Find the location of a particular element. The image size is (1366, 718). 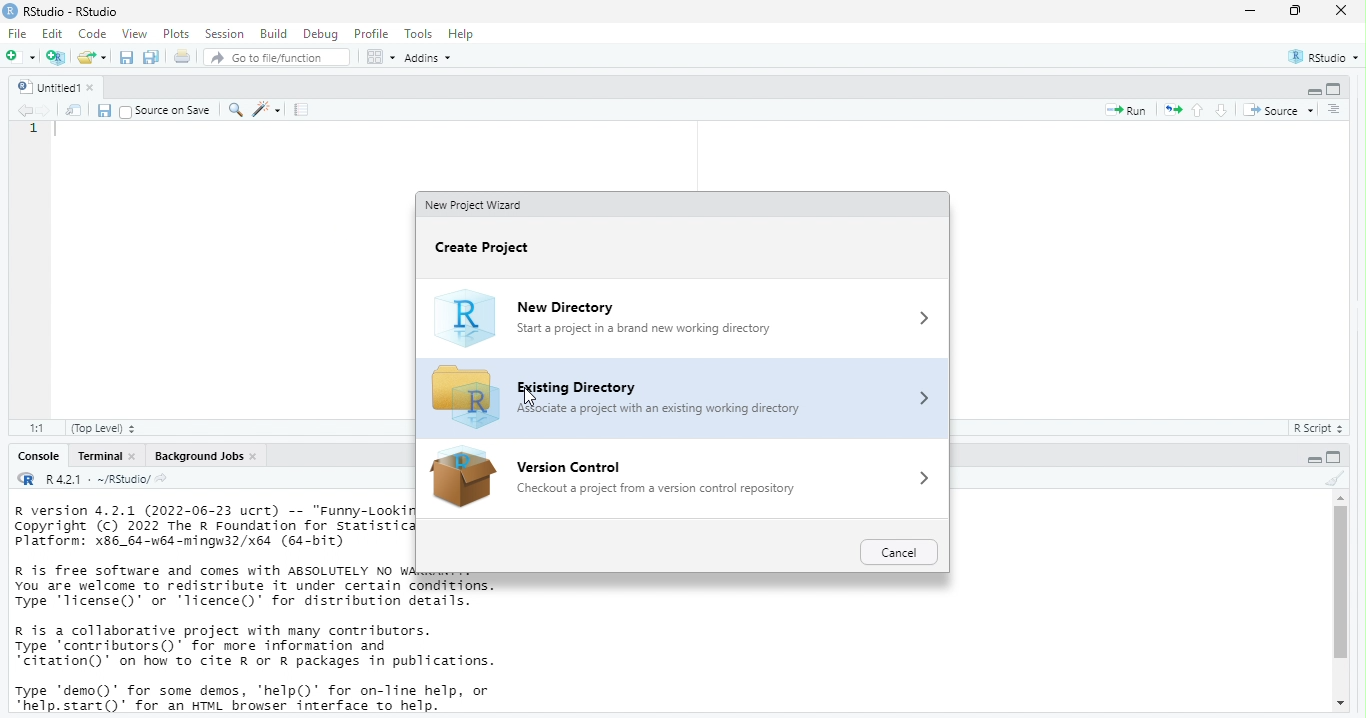

code area is located at coordinates (1147, 271).